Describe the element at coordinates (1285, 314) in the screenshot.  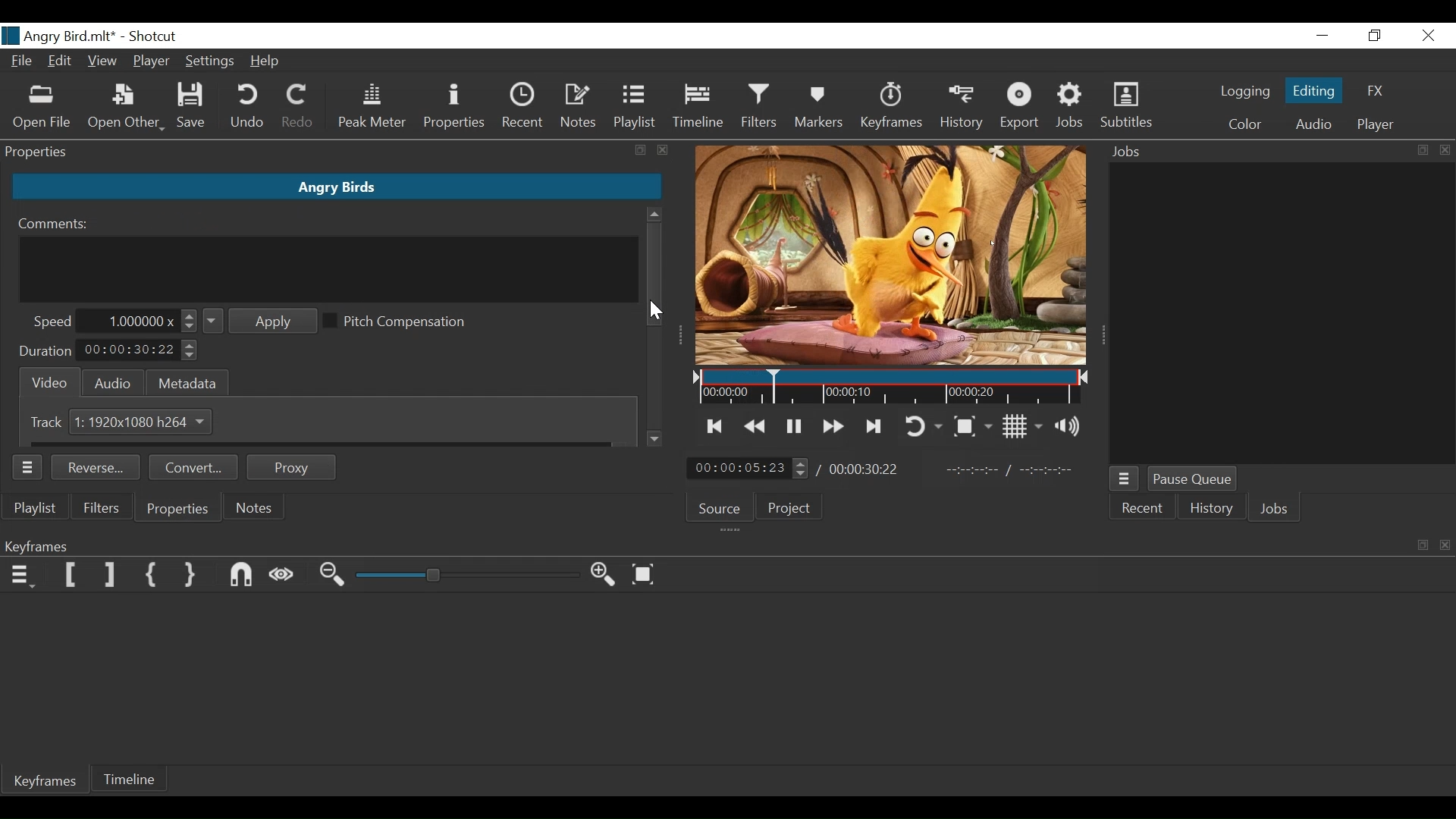
I see `Jobs Panel` at that location.